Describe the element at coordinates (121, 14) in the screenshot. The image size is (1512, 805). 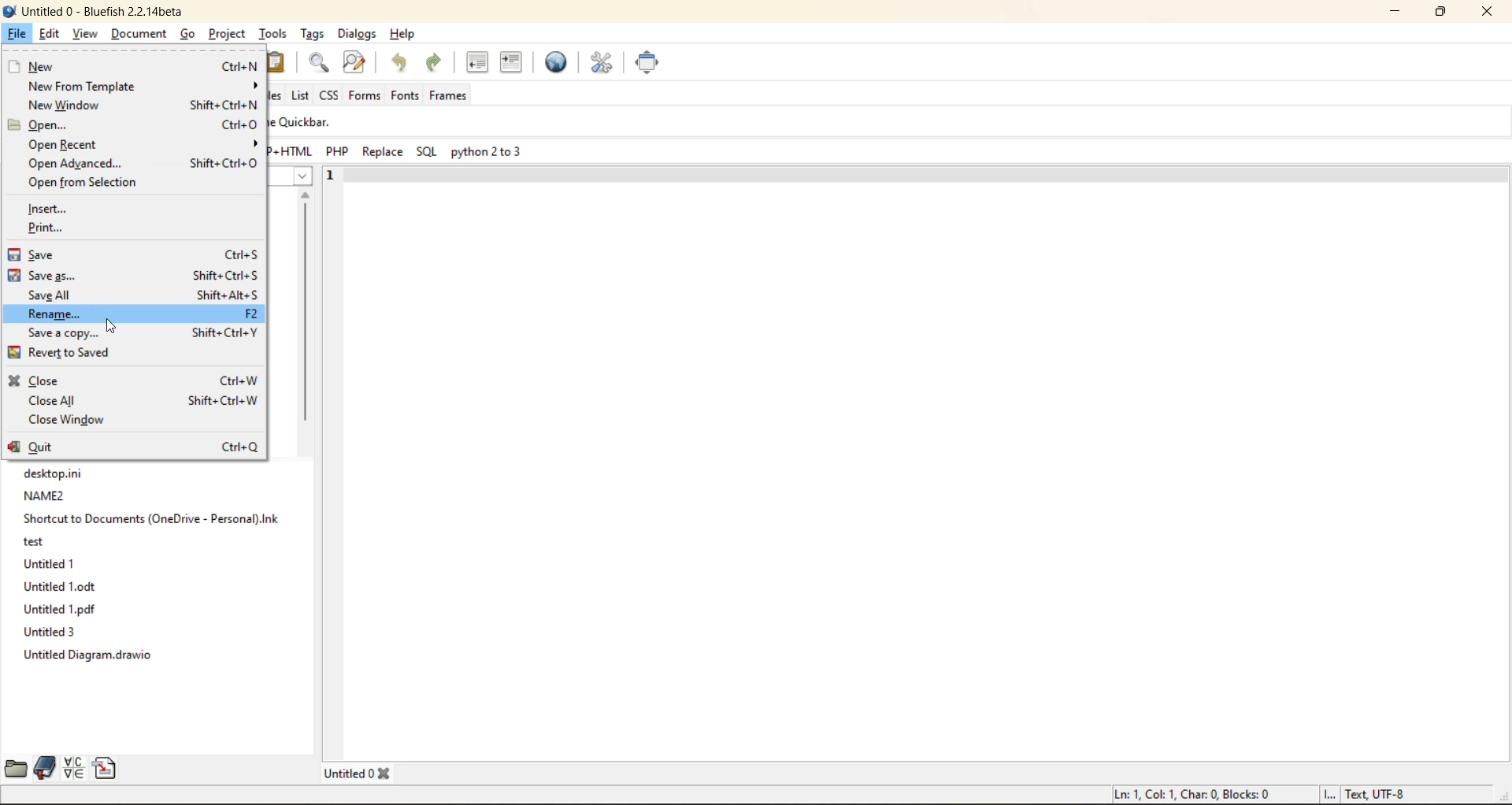
I see `file name and app name` at that location.